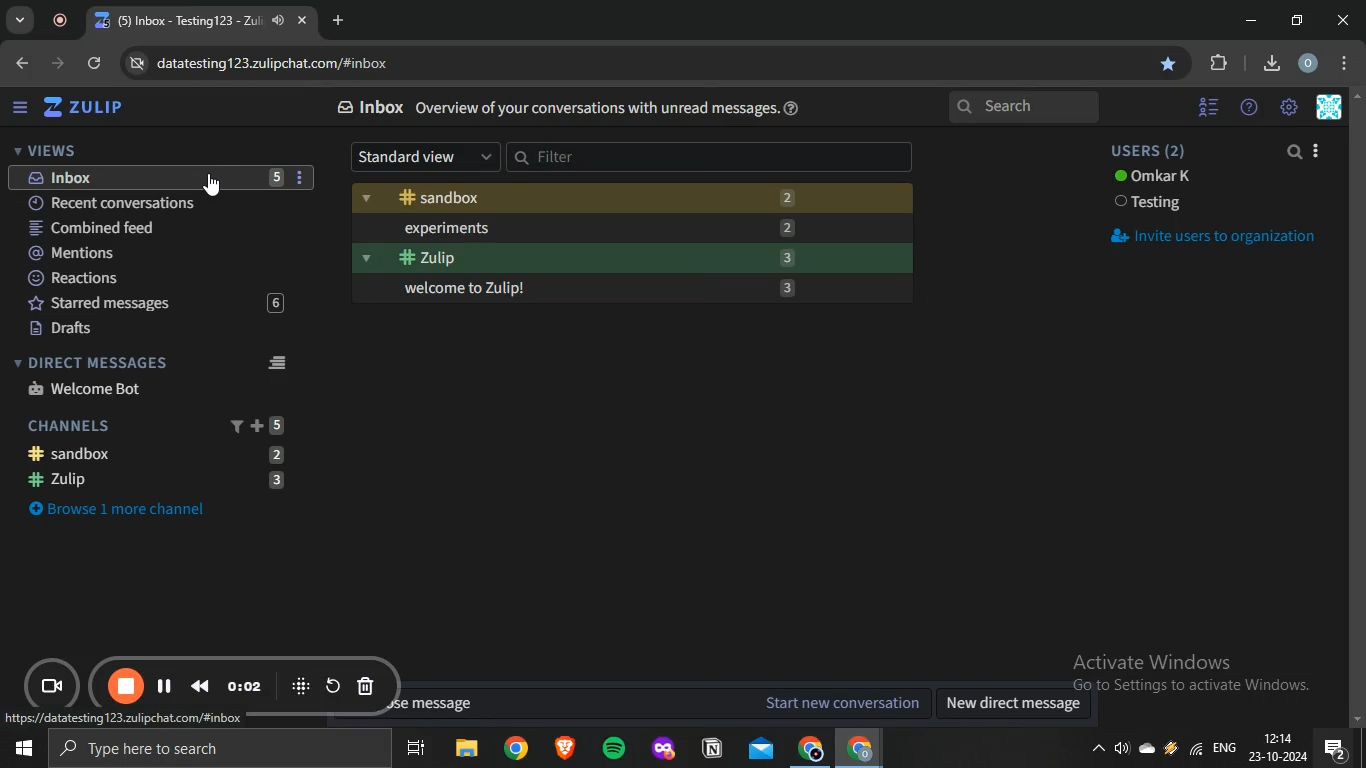  Describe the element at coordinates (65, 21) in the screenshot. I see `recording` at that location.